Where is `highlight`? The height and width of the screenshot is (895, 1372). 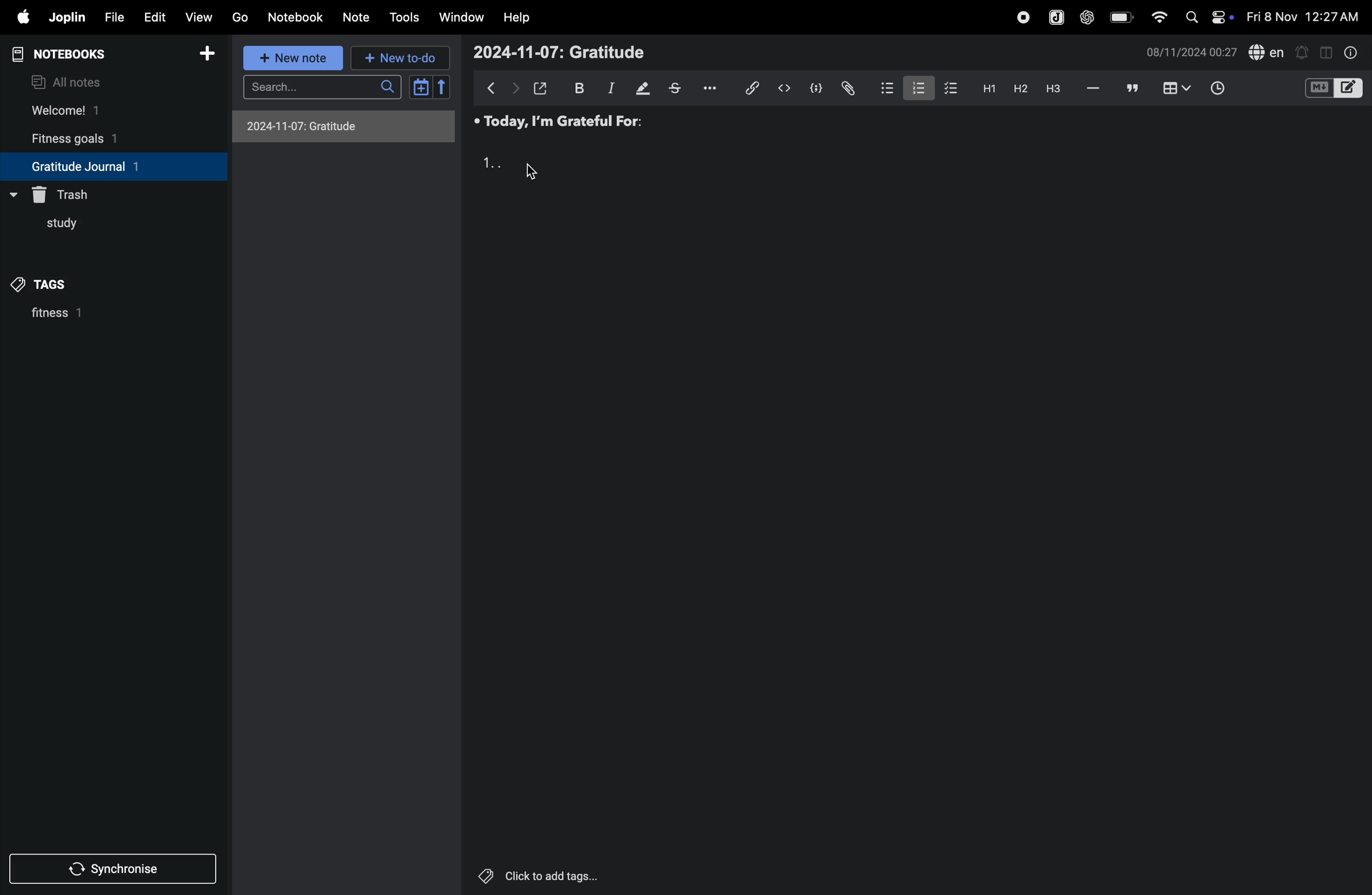 highlight is located at coordinates (643, 88).